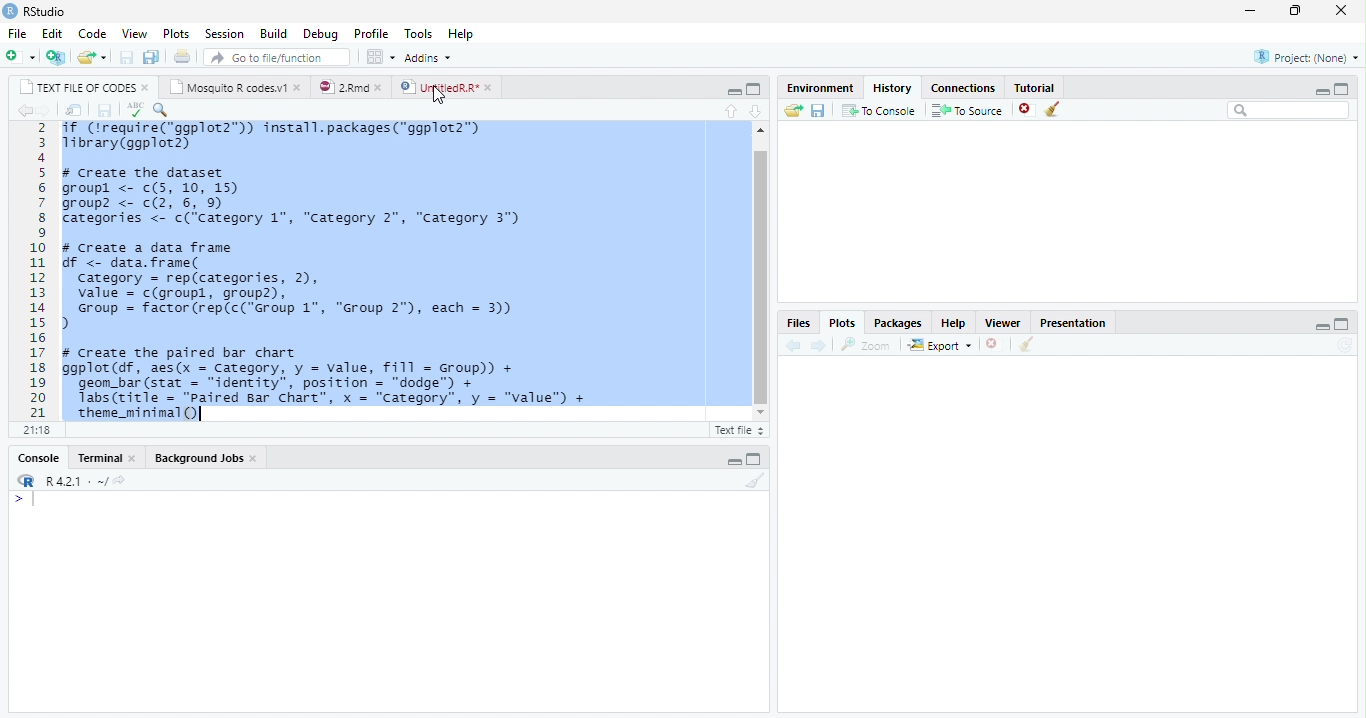 Image resolution: width=1366 pixels, height=718 pixels. What do you see at coordinates (21, 110) in the screenshot?
I see `go back` at bounding box center [21, 110].